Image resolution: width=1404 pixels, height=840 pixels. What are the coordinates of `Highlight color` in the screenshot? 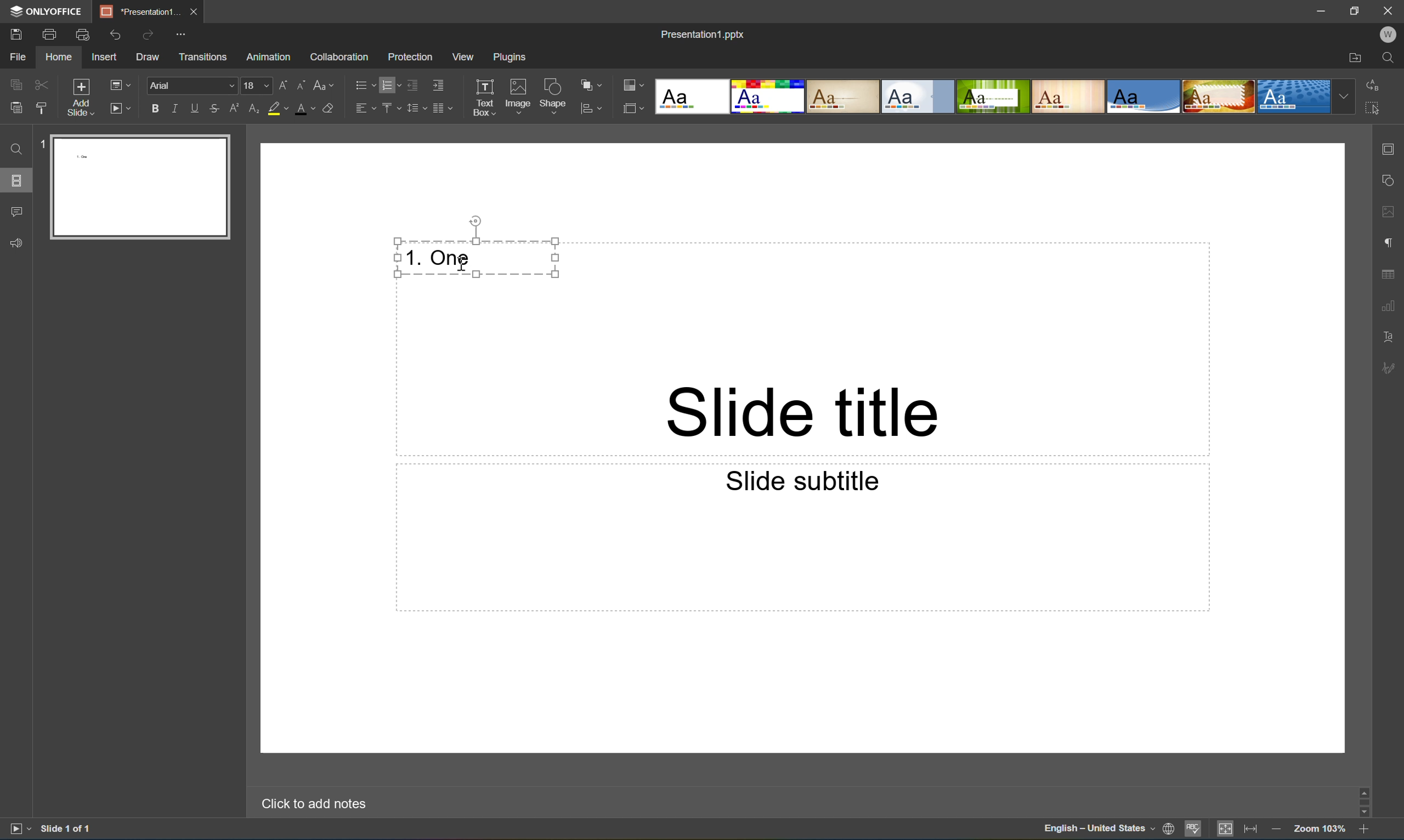 It's located at (277, 106).